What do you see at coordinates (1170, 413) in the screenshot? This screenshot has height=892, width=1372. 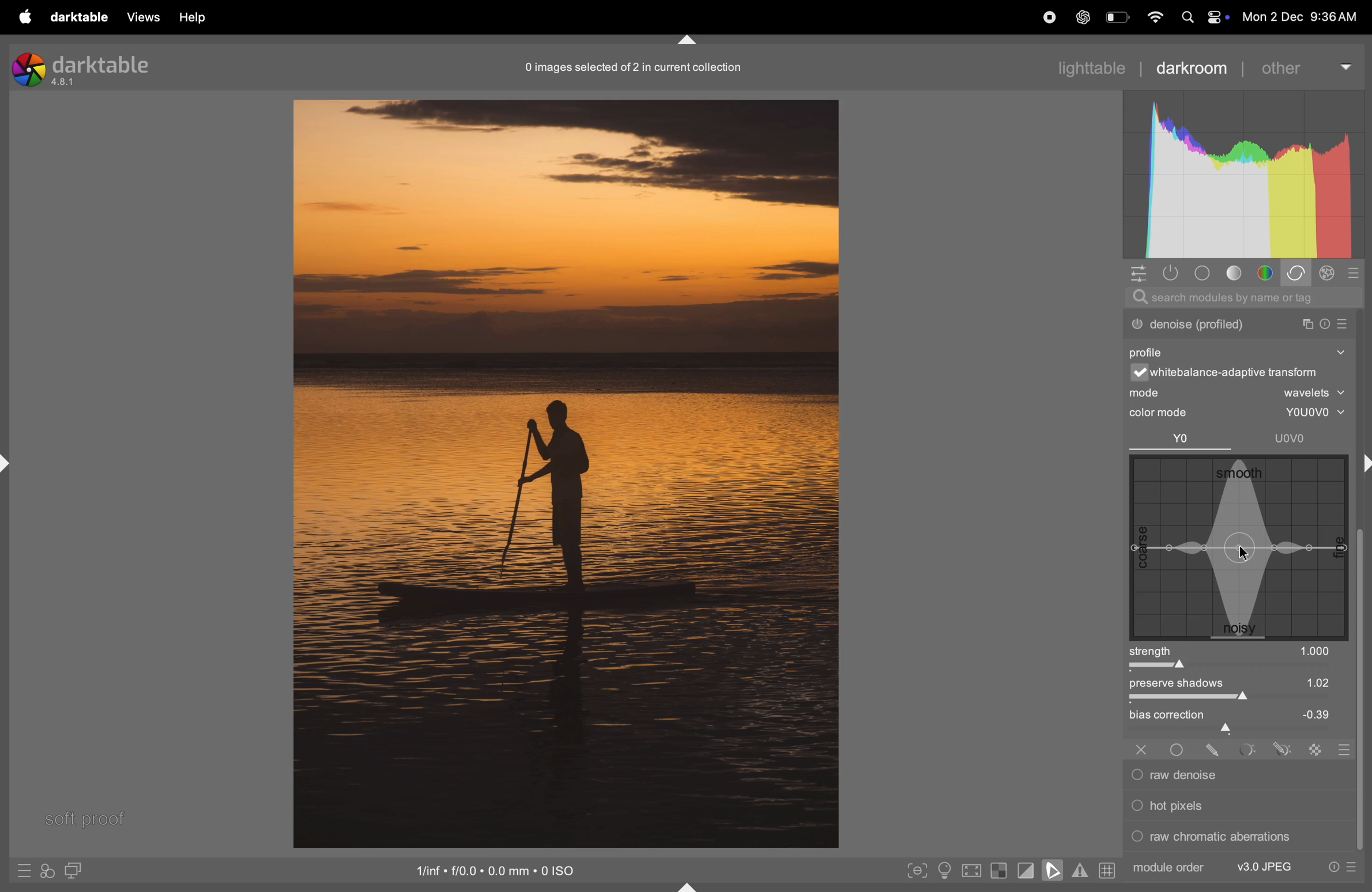 I see `color mode` at bounding box center [1170, 413].